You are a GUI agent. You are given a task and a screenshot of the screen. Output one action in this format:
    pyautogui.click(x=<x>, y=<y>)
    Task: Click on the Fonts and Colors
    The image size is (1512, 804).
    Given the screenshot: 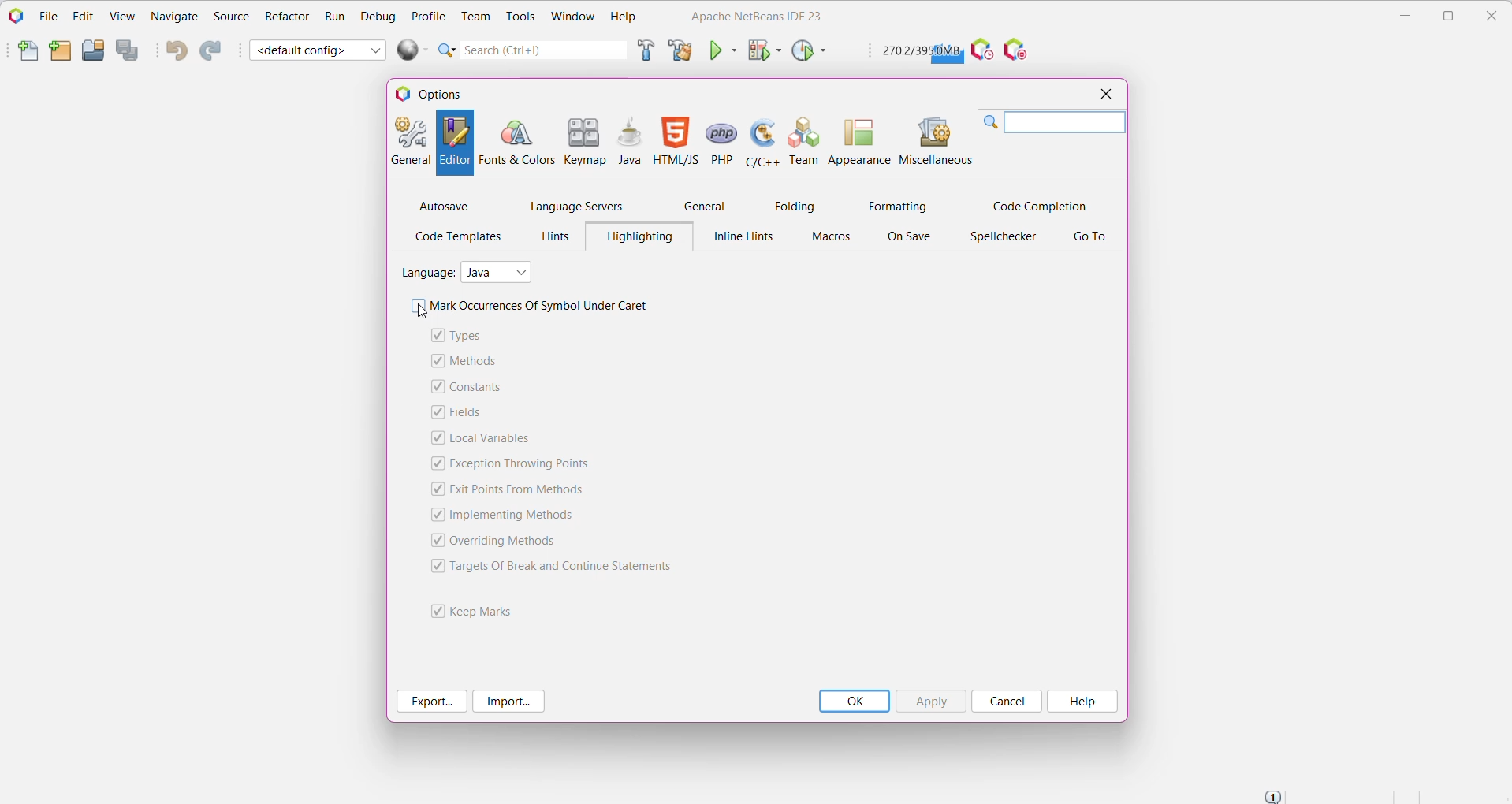 What is the action you would take?
    pyautogui.click(x=516, y=141)
    